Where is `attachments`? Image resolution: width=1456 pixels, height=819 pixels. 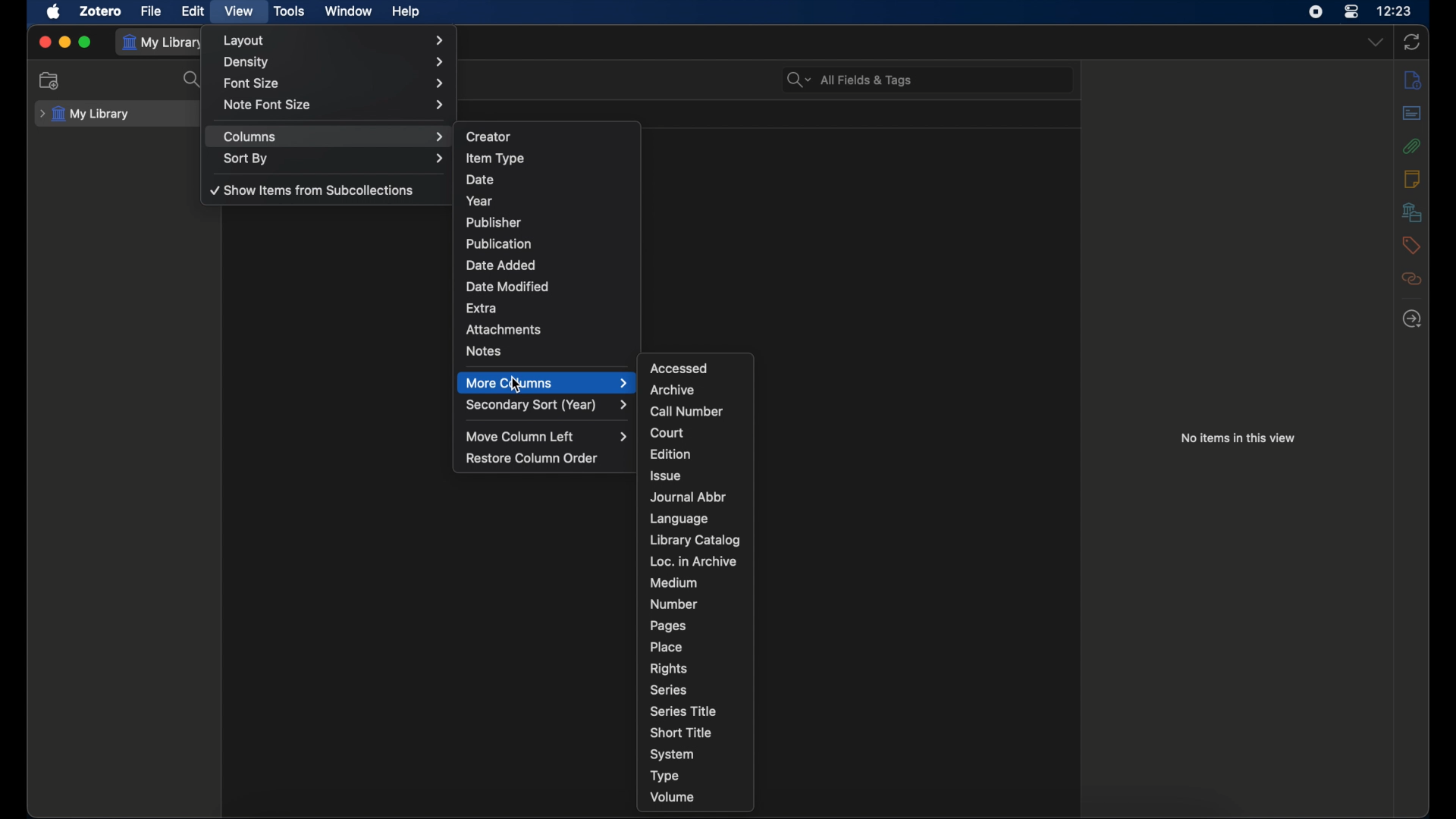 attachments is located at coordinates (1411, 146).